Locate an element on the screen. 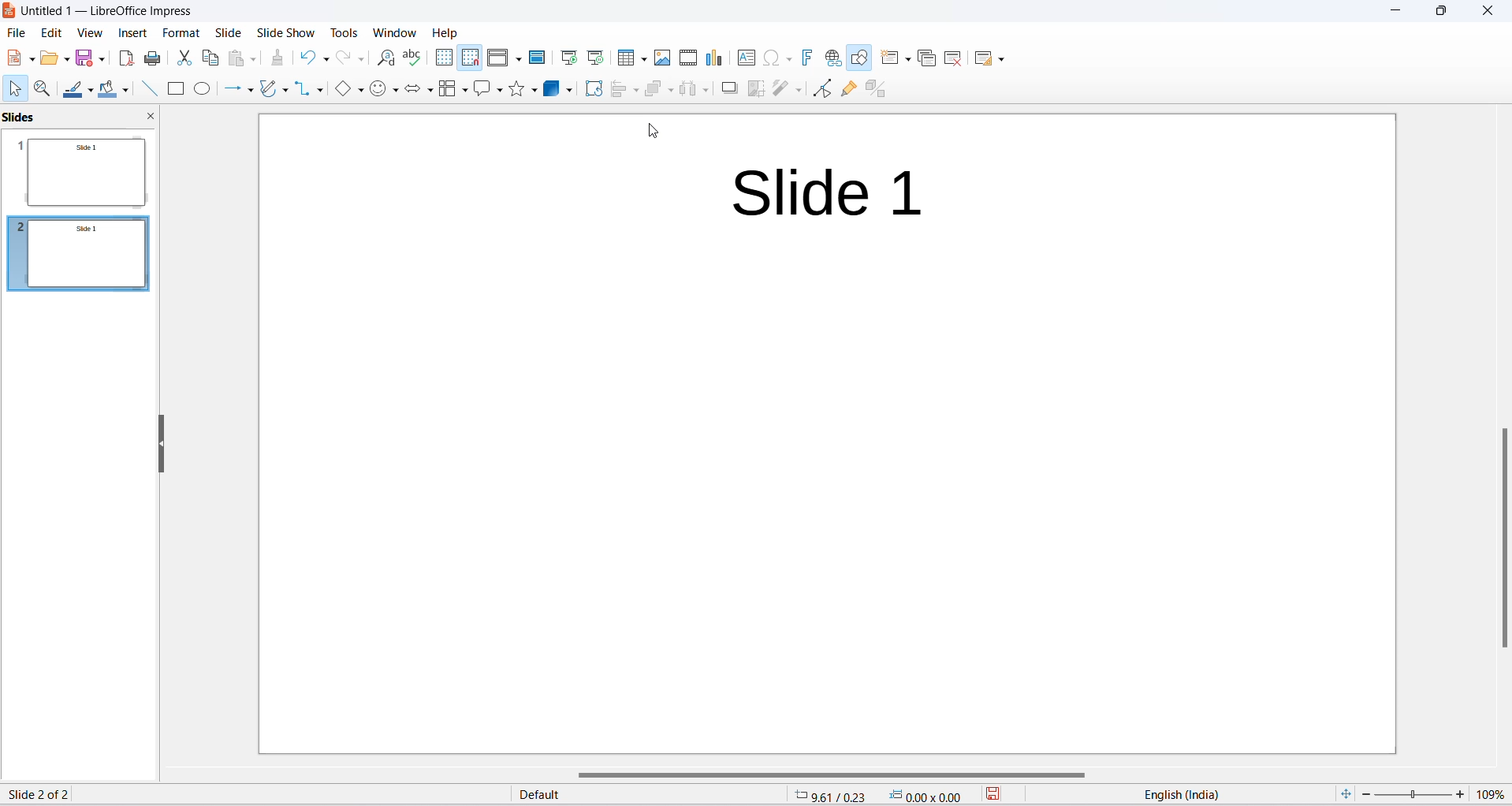  untitled1-libreoffice impress is located at coordinates (111, 9).